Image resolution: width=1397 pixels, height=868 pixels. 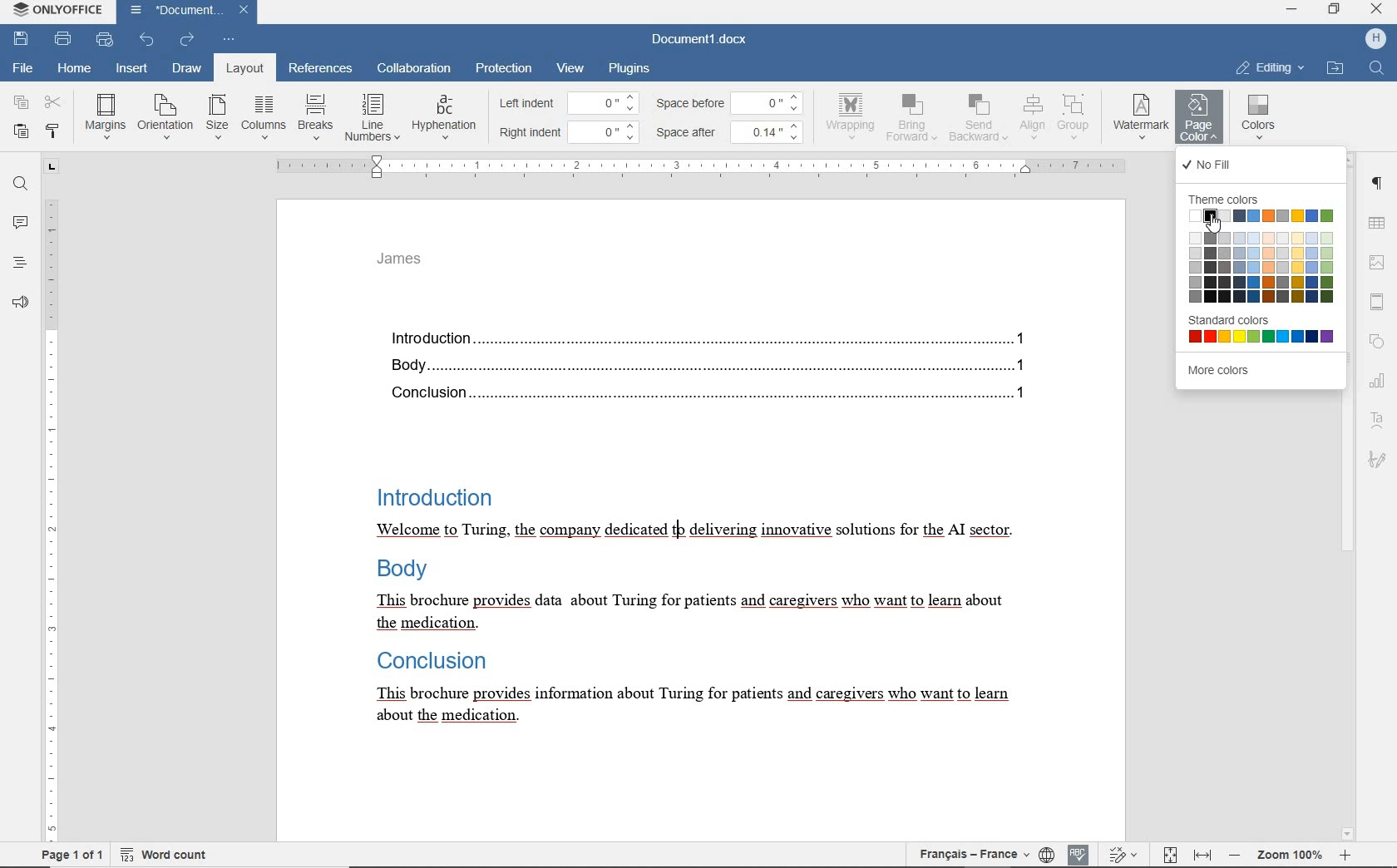 I want to click on word count, so click(x=166, y=854).